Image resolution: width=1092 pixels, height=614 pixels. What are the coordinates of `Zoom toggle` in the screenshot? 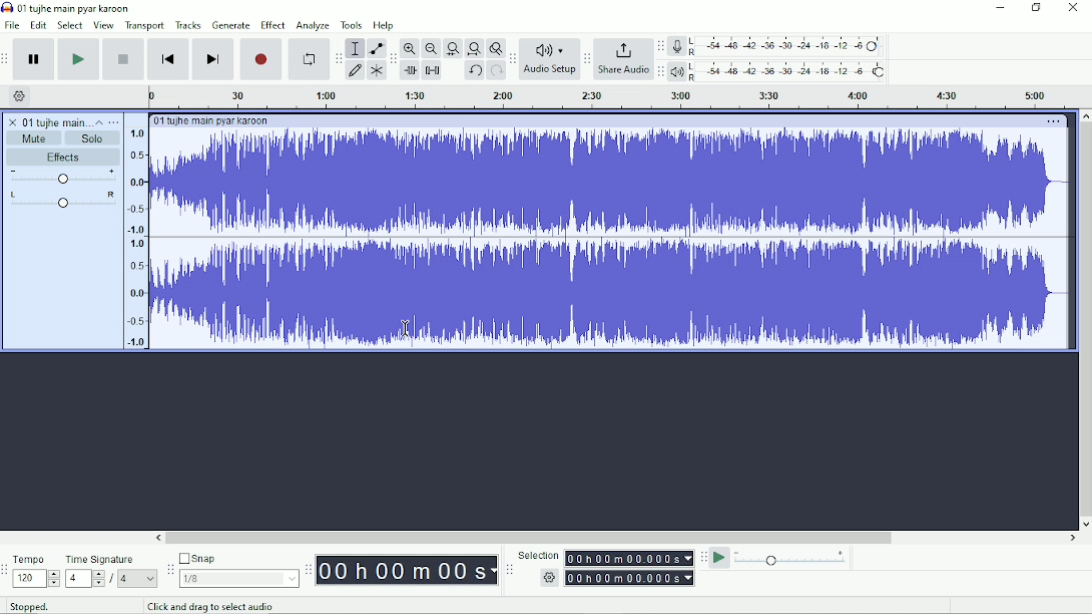 It's located at (495, 48).